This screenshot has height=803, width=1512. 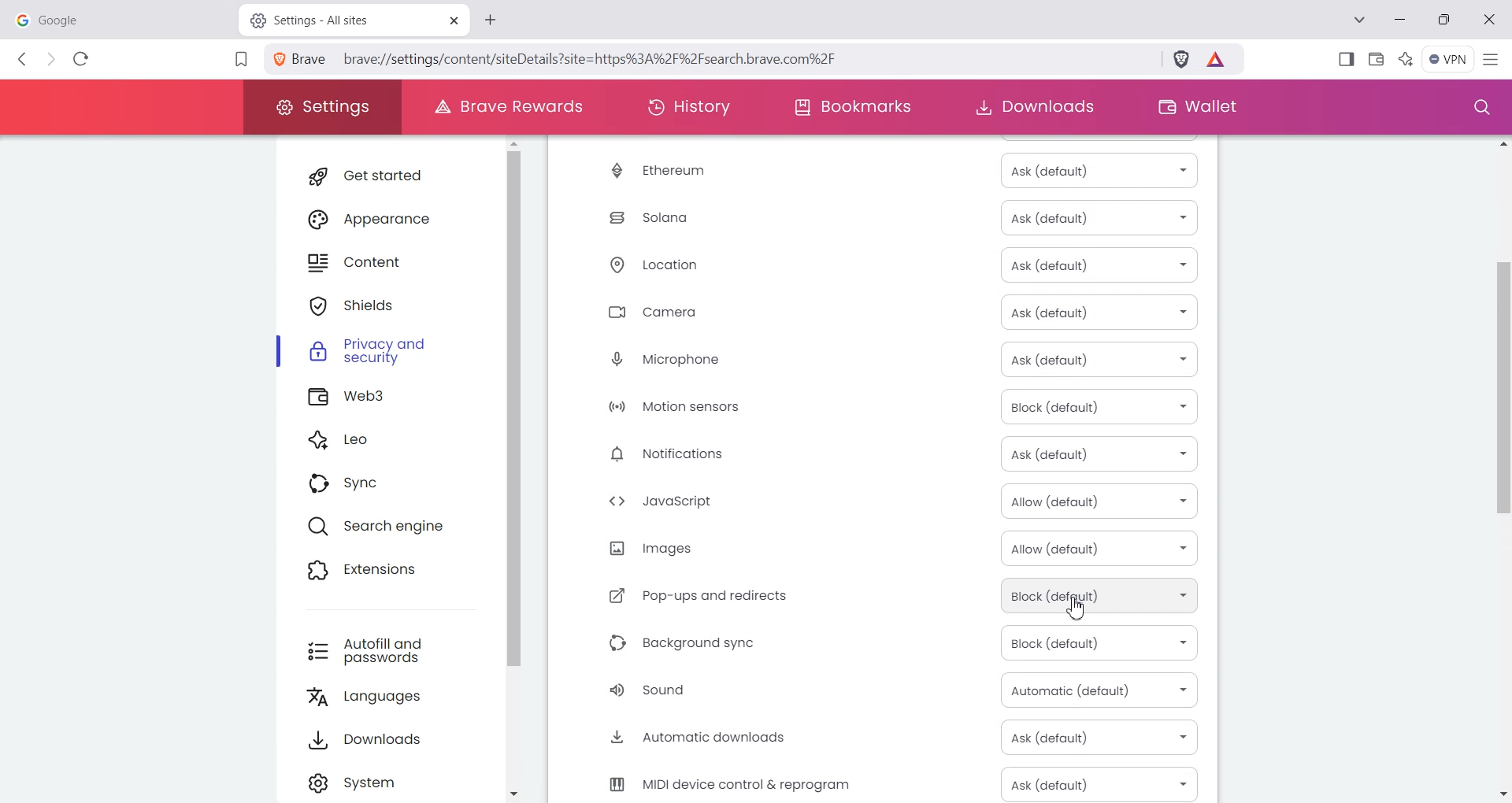 What do you see at coordinates (240, 61) in the screenshot?
I see `Bookmark` at bounding box center [240, 61].